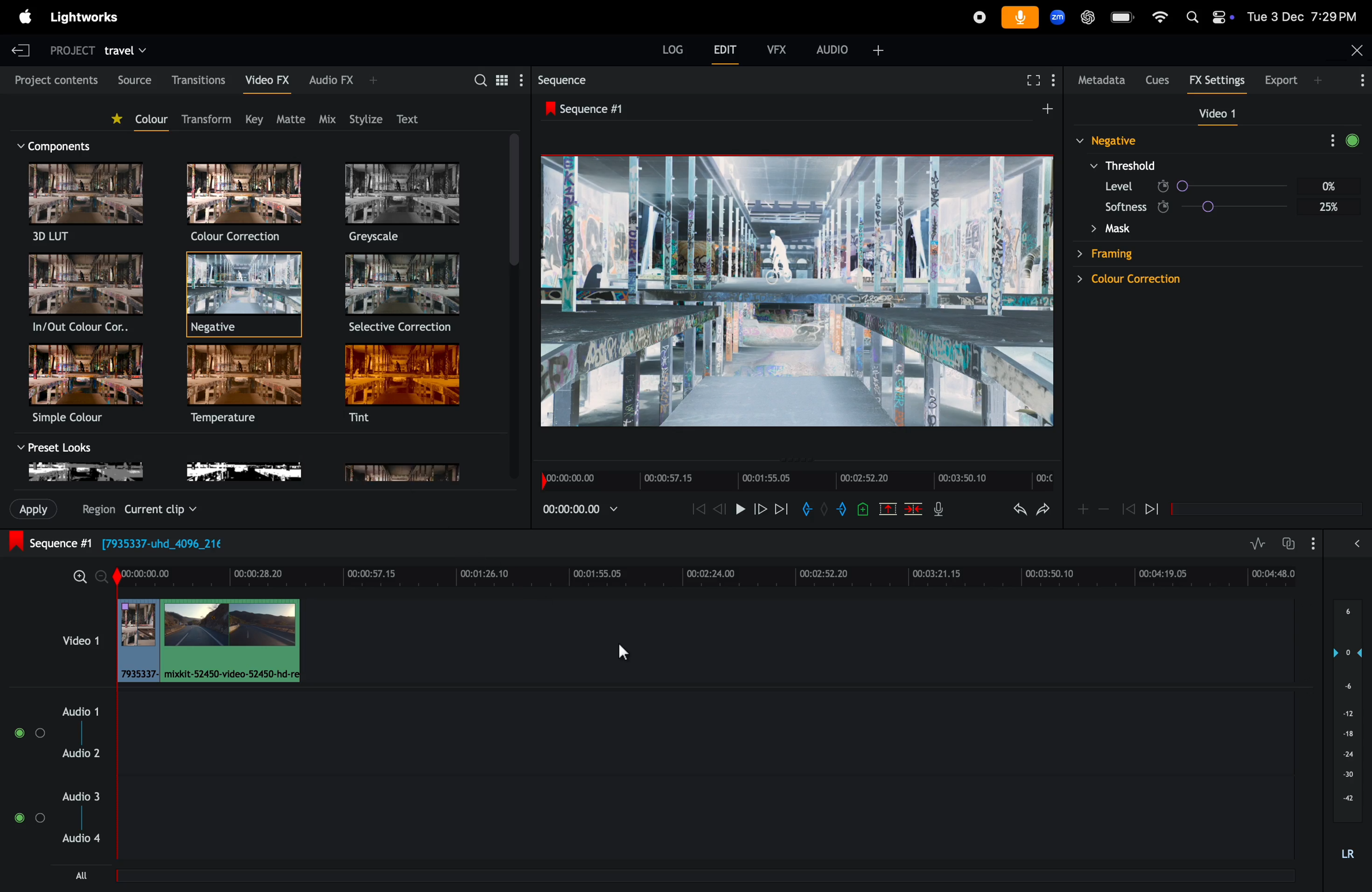 This screenshot has height=892, width=1372. What do you see at coordinates (718, 508) in the screenshot?
I see `rewind` at bounding box center [718, 508].